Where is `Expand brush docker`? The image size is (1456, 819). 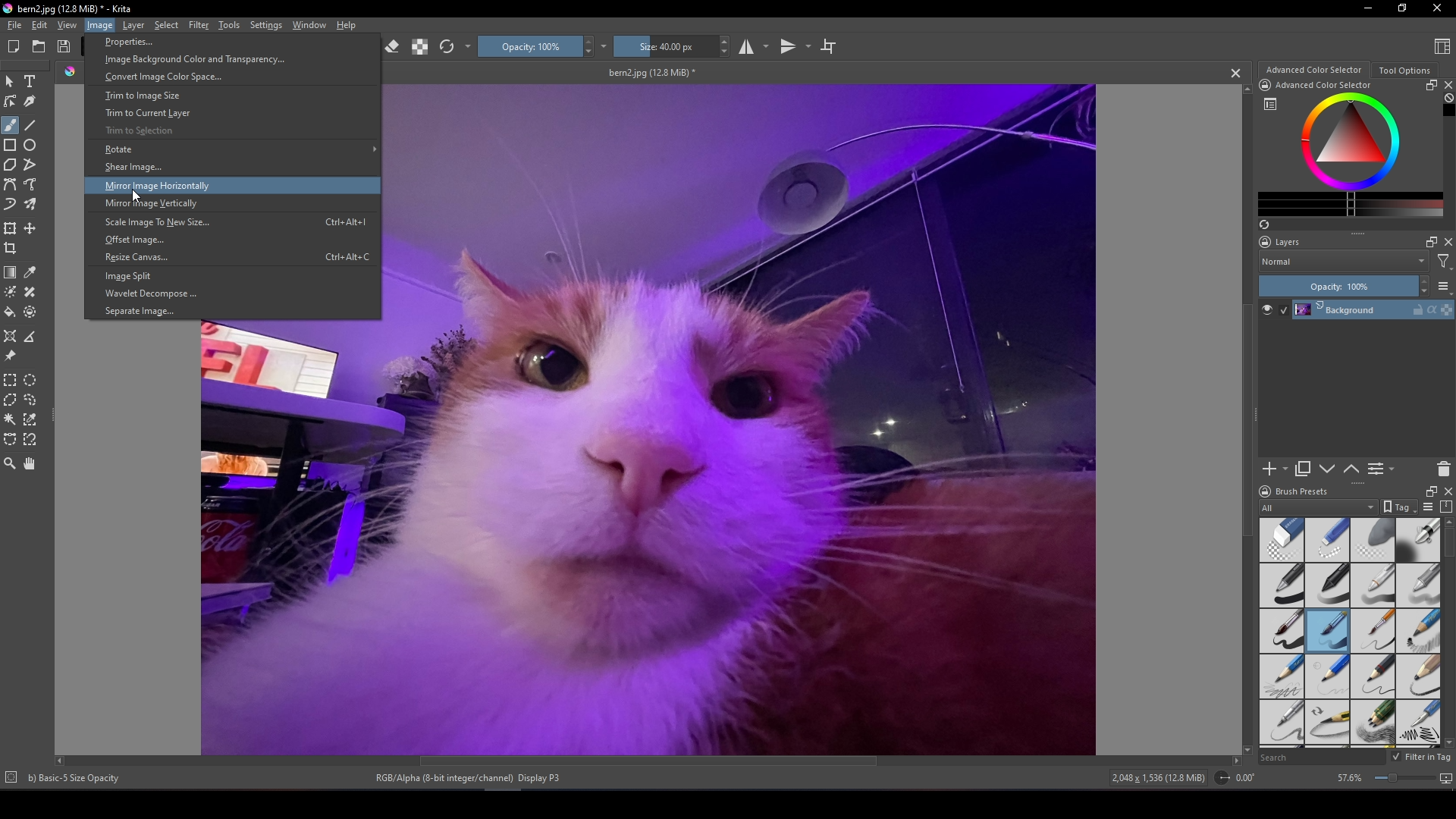 Expand brush docker is located at coordinates (1429, 491).